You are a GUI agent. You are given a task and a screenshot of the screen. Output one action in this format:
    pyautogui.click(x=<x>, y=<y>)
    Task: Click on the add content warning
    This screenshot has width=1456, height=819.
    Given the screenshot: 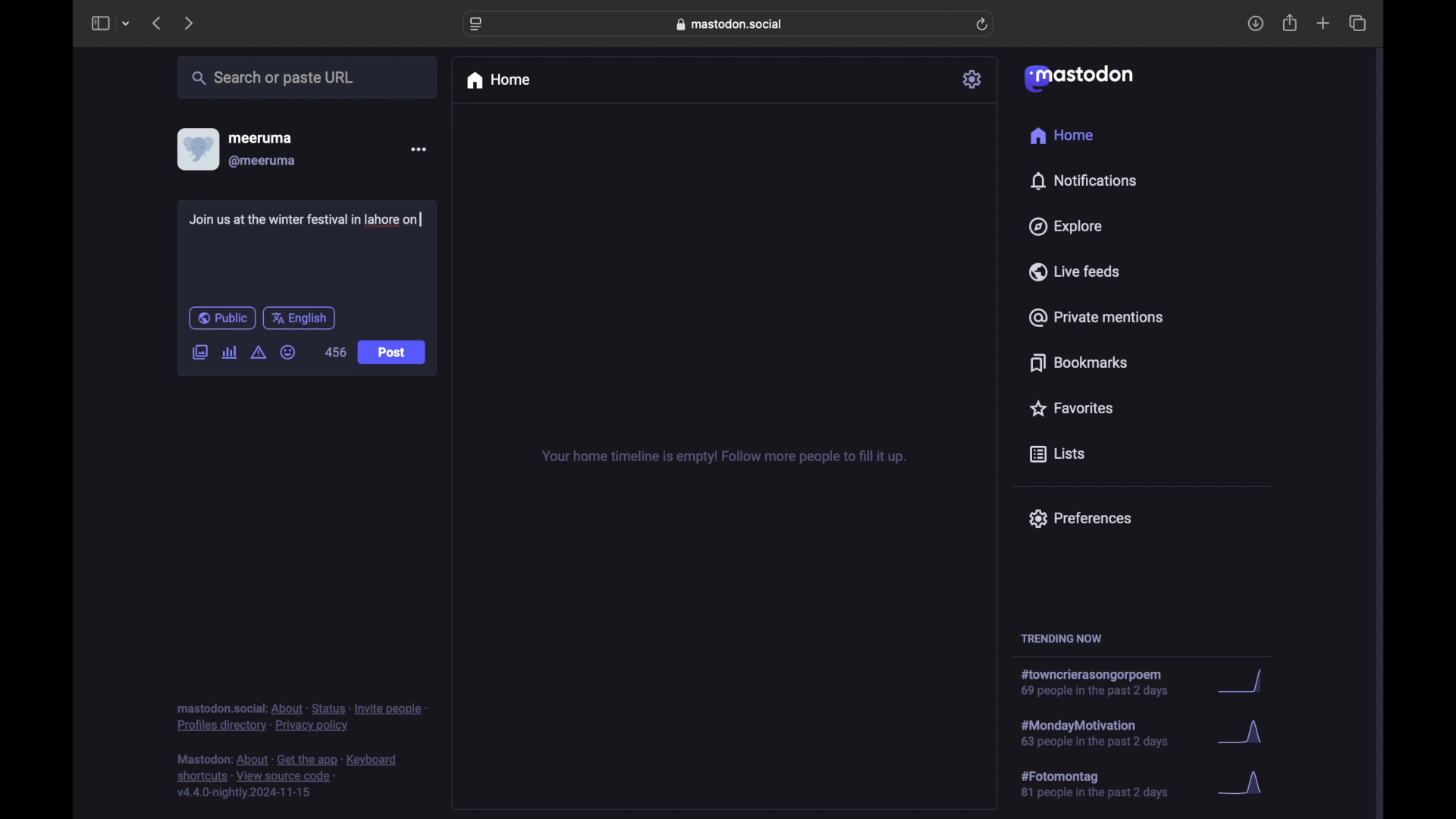 What is the action you would take?
    pyautogui.click(x=258, y=353)
    